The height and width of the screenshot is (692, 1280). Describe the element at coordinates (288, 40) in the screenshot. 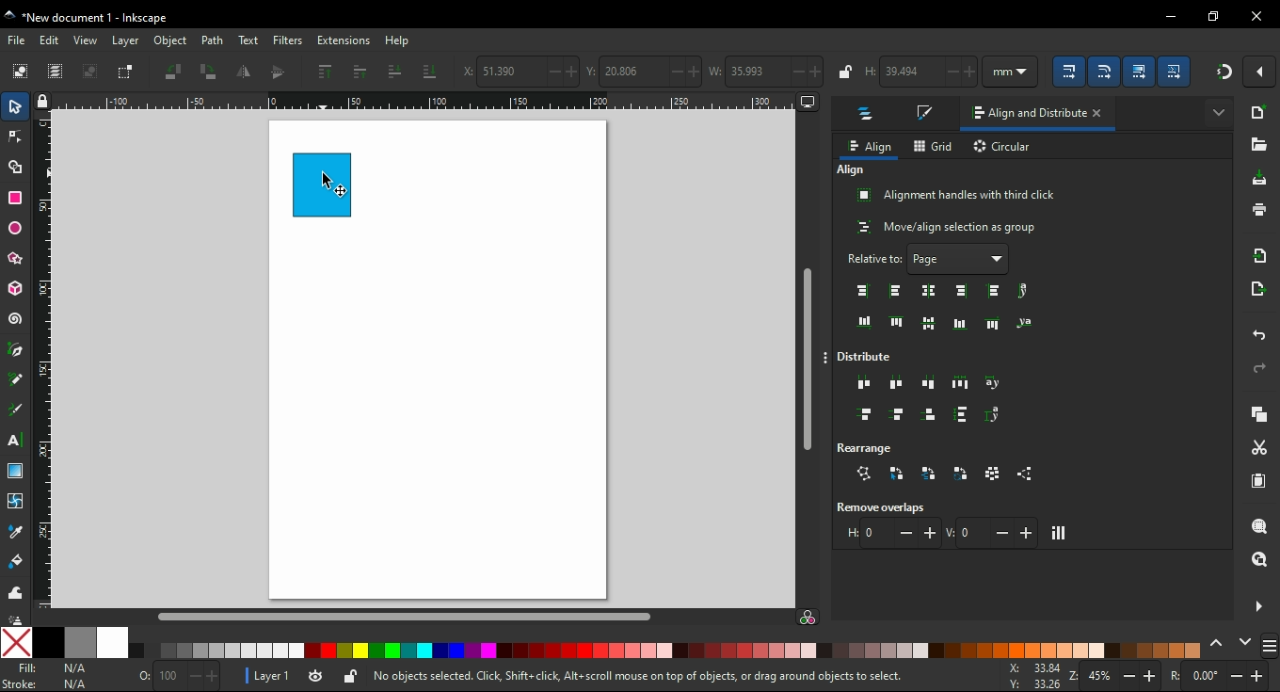

I see `filters` at that location.